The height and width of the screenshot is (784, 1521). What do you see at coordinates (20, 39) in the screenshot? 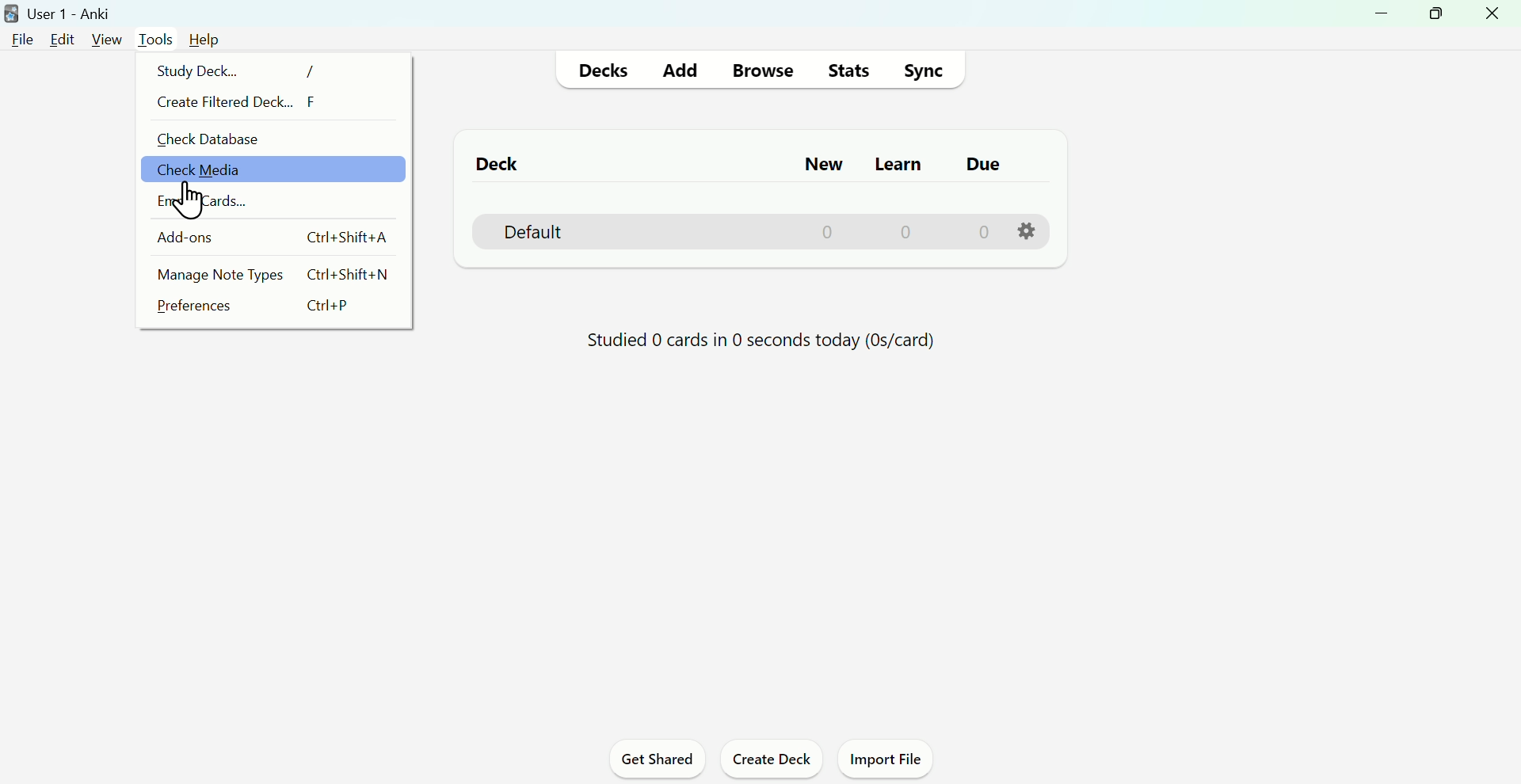
I see `File` at bounding box center [20, 39].